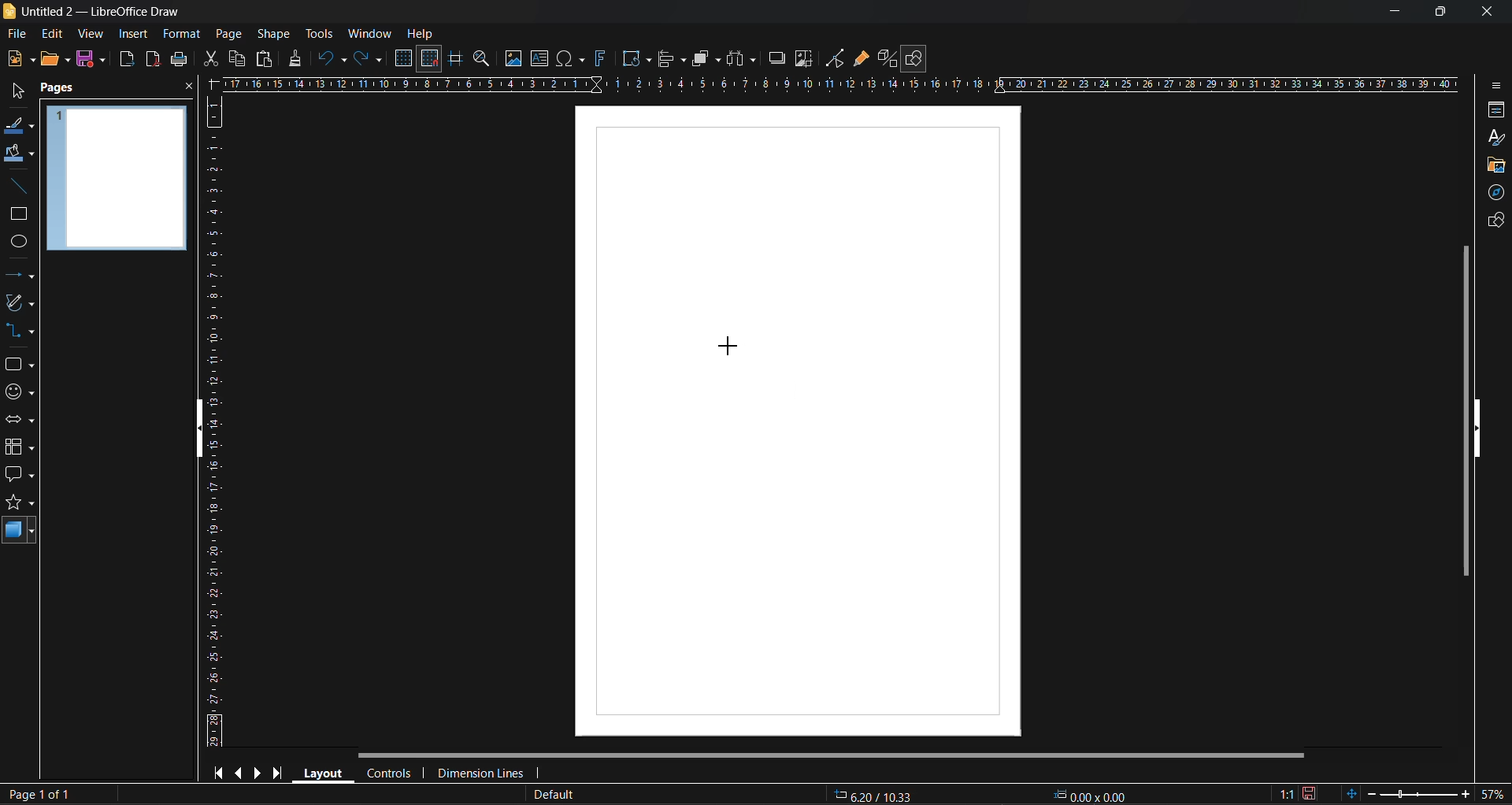  What do you see at coordinates (1492, 223) in the screenshot?
I see `shapes` at bounding box center [1492, 223].